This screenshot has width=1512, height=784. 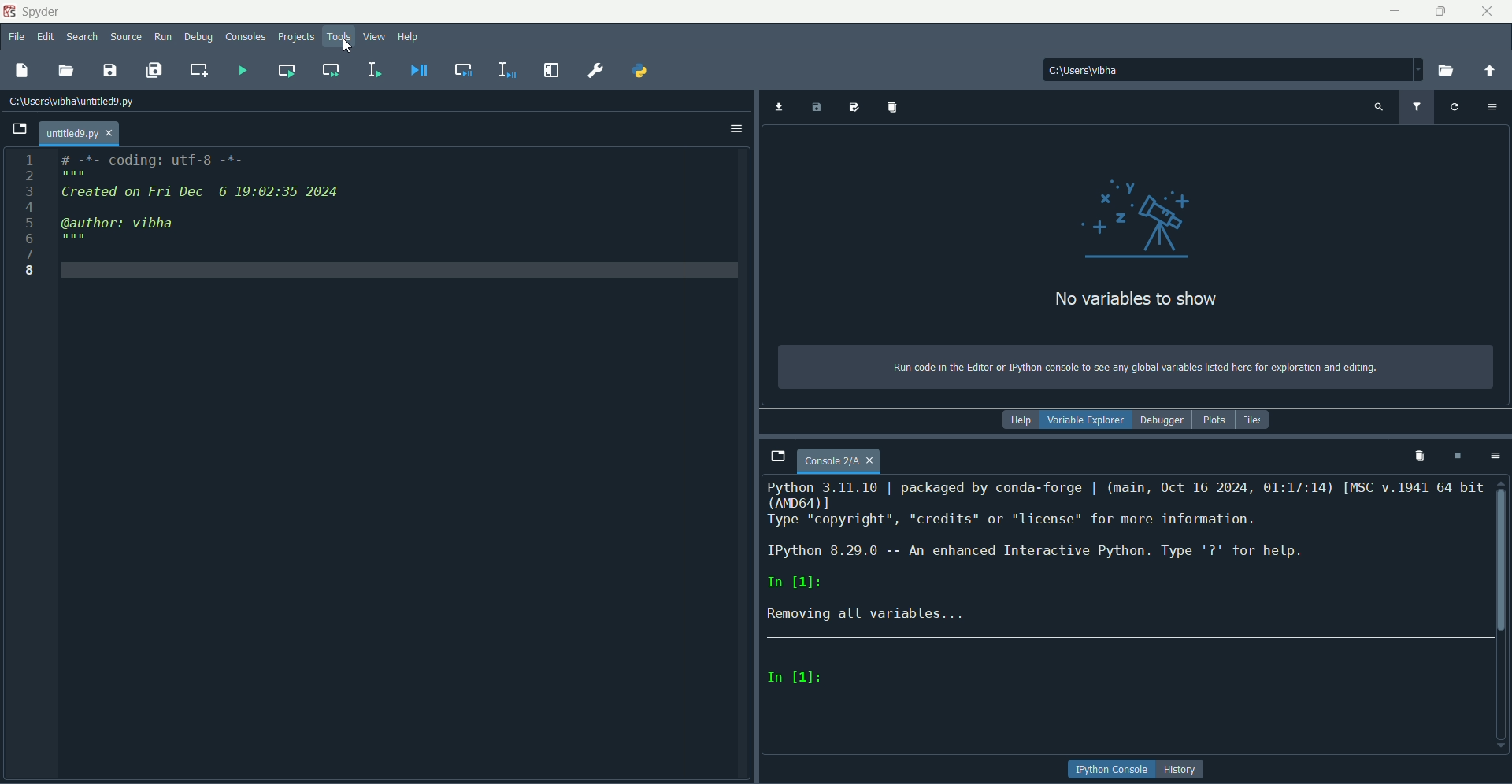 I want to click on , so click(x=297, y=39).